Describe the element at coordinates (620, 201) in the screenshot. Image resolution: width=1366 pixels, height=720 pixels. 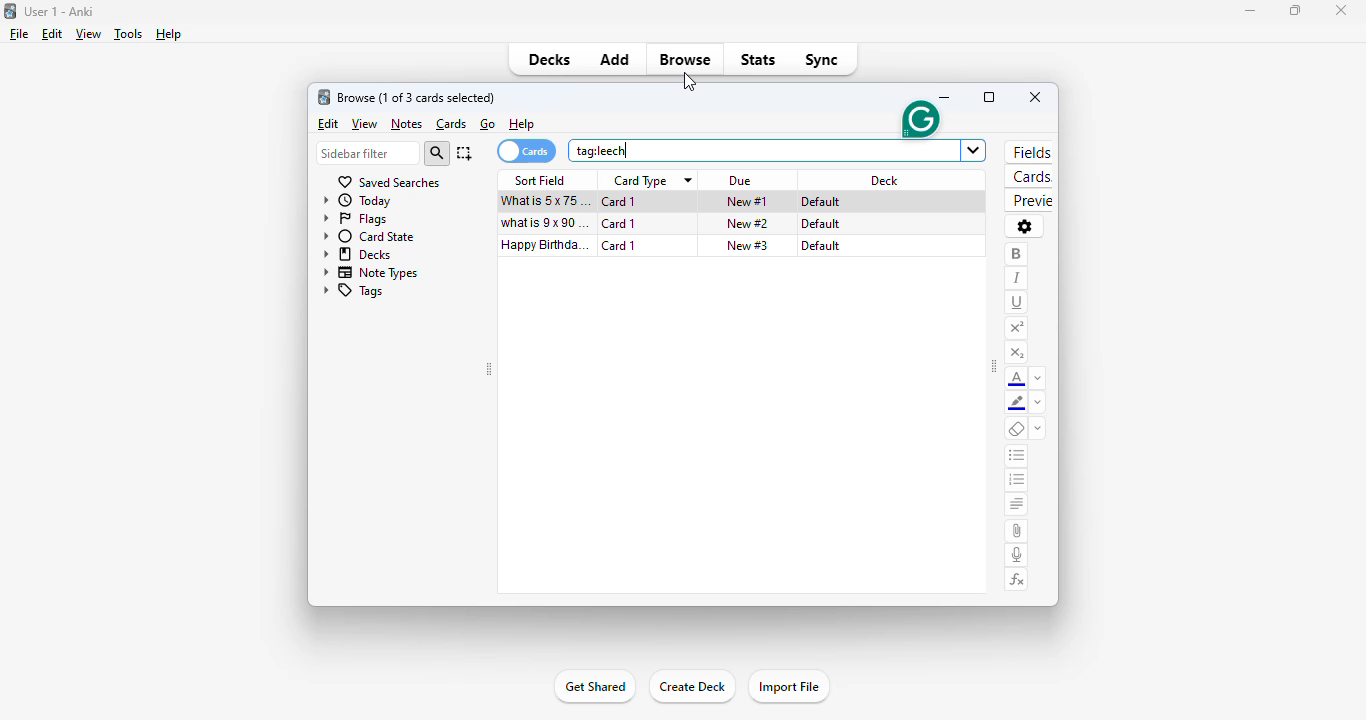
I see `card 1` at that location.